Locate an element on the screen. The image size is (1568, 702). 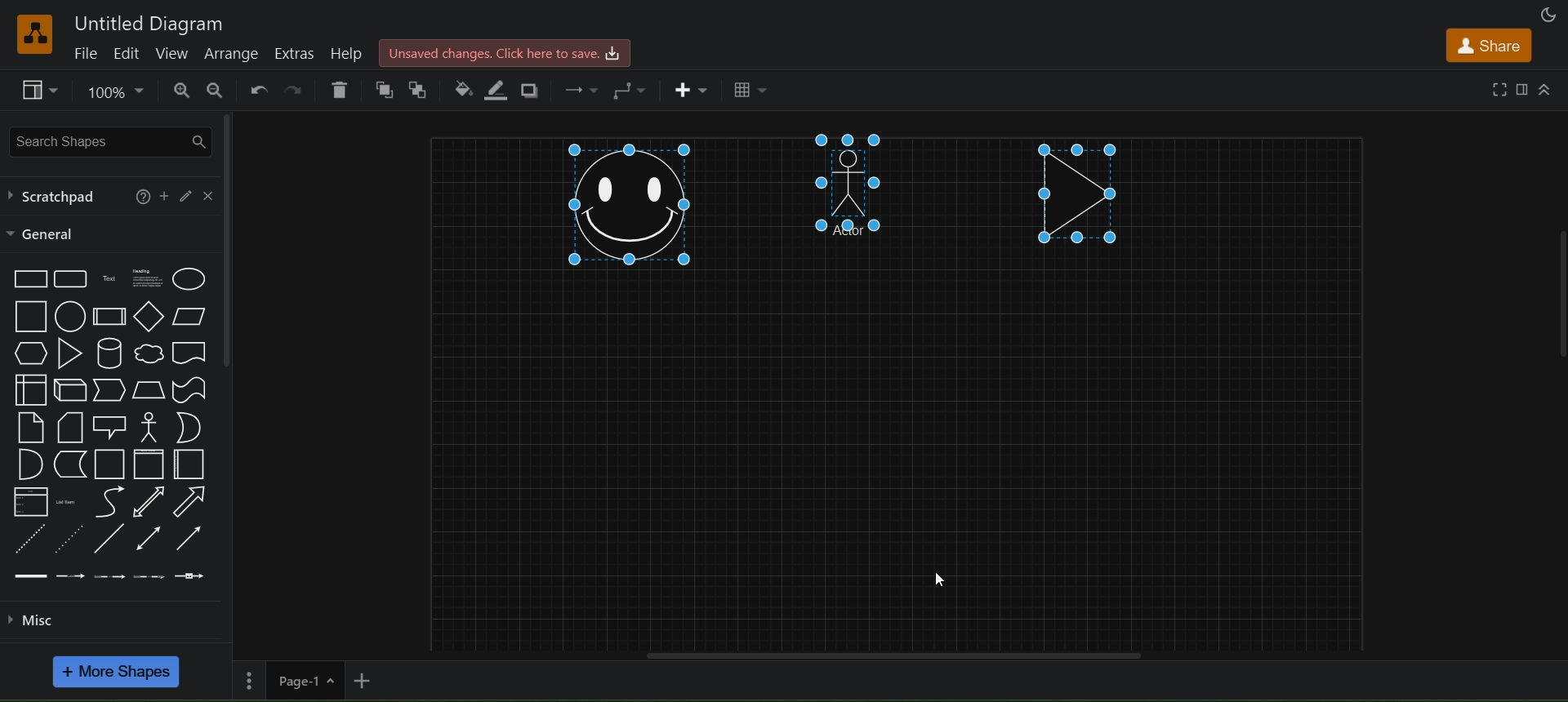
close is located at coordinates (208, 194).